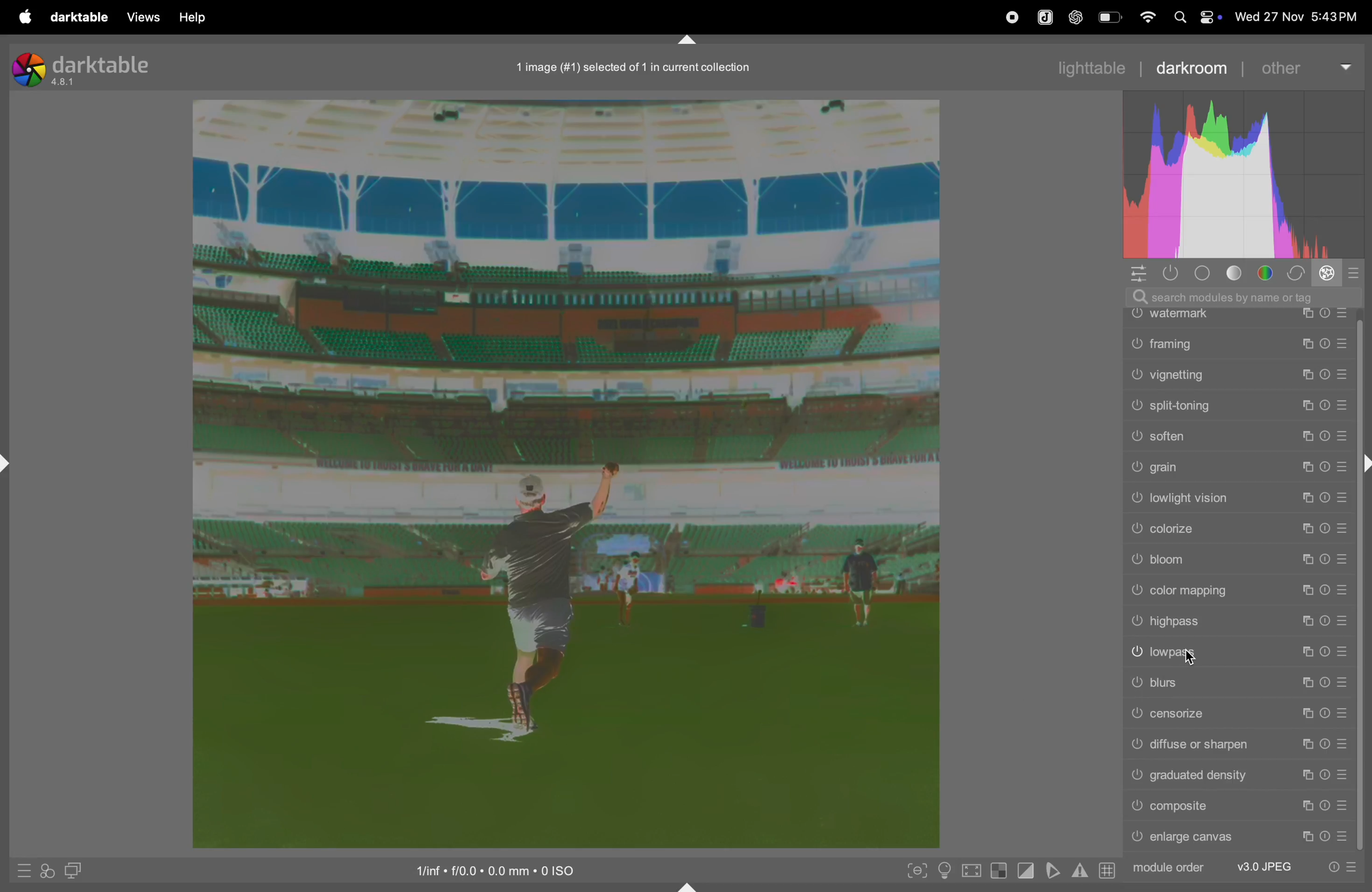 The height and width of the screenshot is (892, 1372). I want to click on lighttable, so click(1095, 65).